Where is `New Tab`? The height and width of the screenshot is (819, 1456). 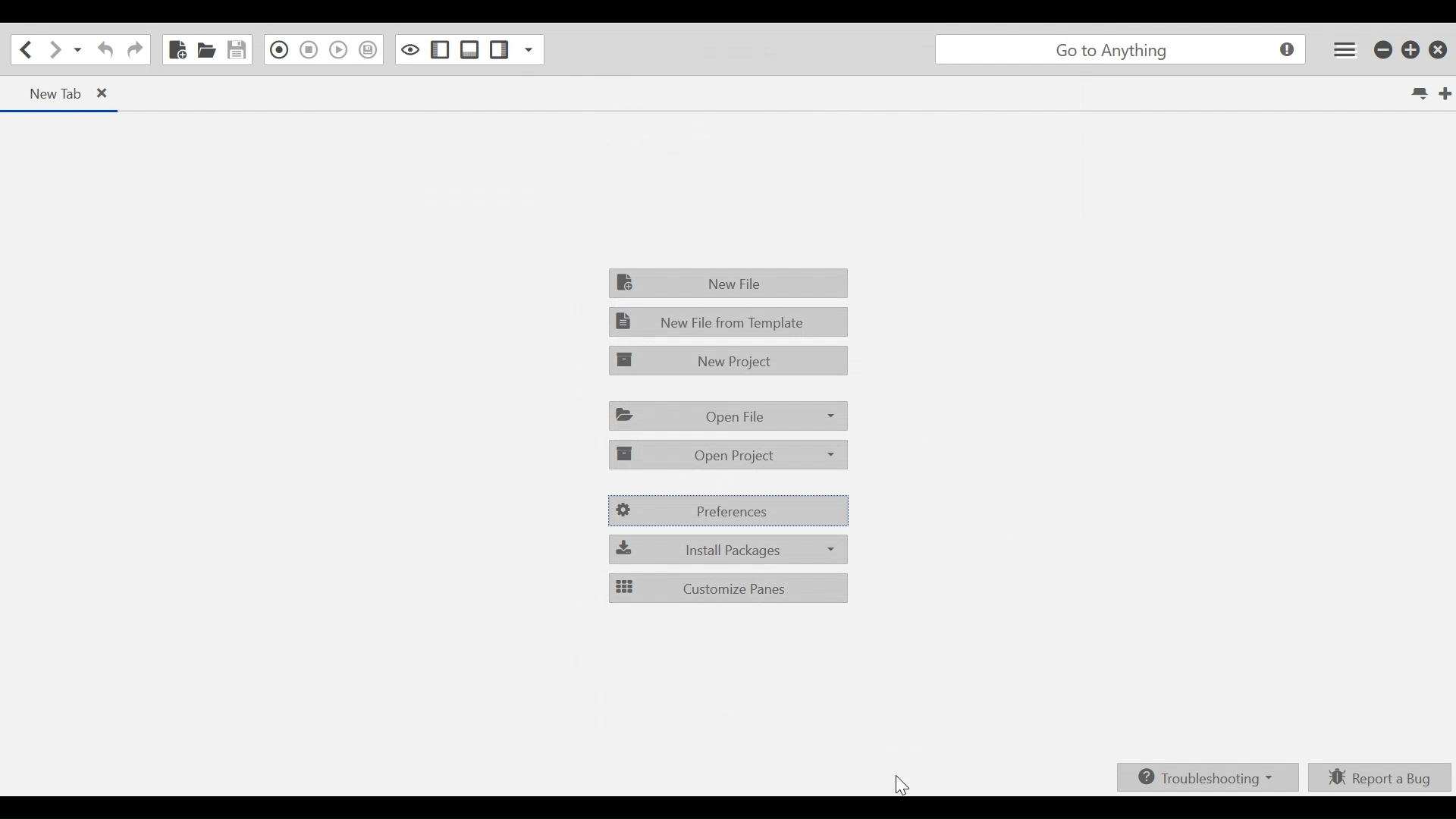 New Tab is located at coordinates (1445, 92).